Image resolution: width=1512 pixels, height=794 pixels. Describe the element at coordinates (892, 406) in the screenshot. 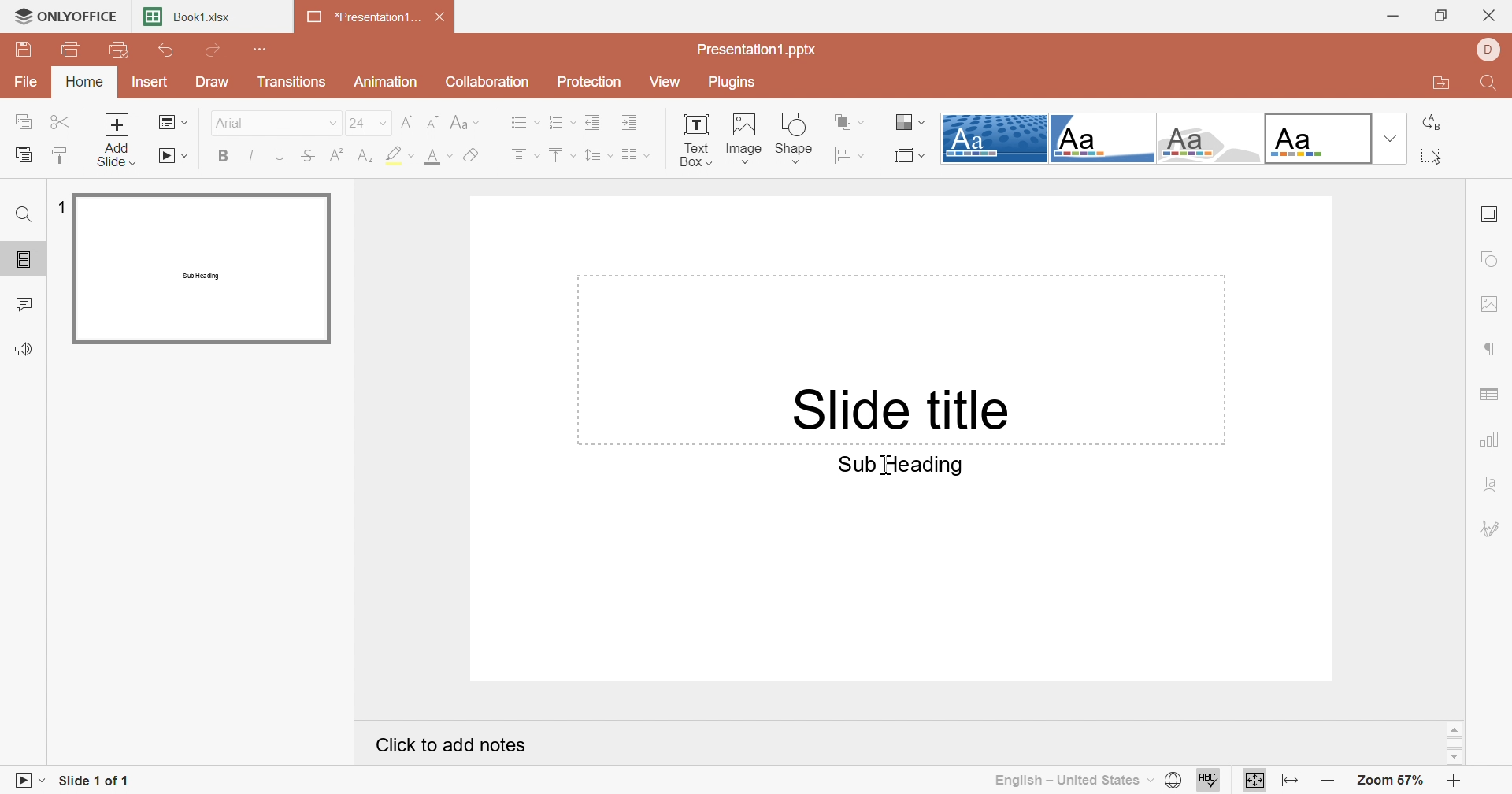

I see `Slide Title` at that location.